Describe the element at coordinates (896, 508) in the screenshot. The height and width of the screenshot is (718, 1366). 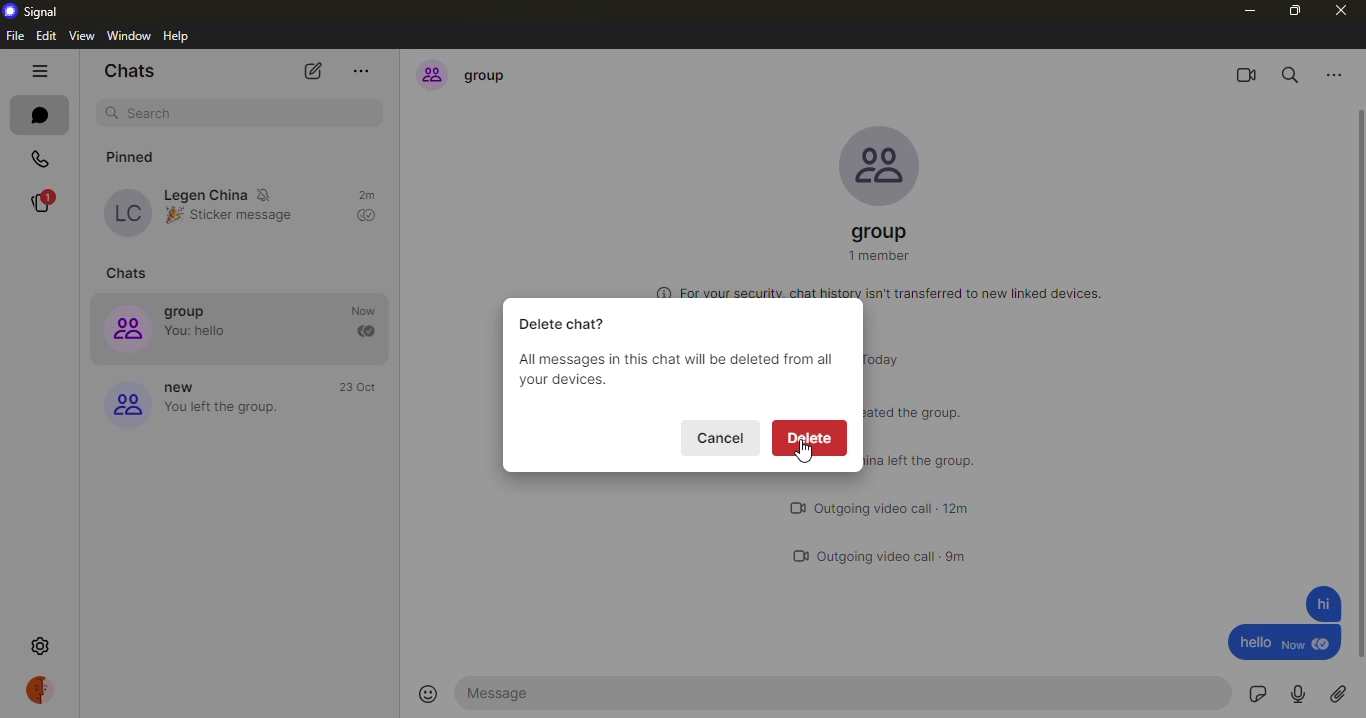
I see `outgoing video call 12m` at that location.